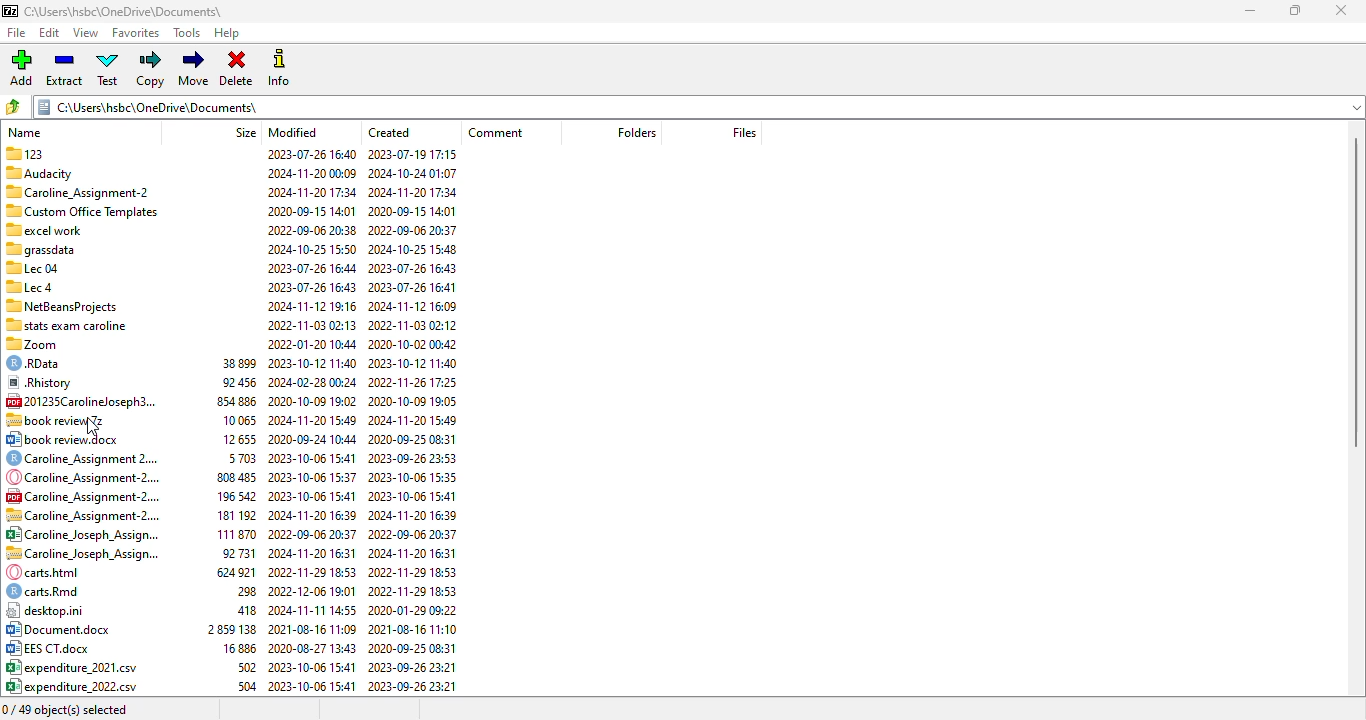  What do you see at coordinates (1250, 11) in the screenshot?
I see `minimize` at bounding box center [1250, 11].